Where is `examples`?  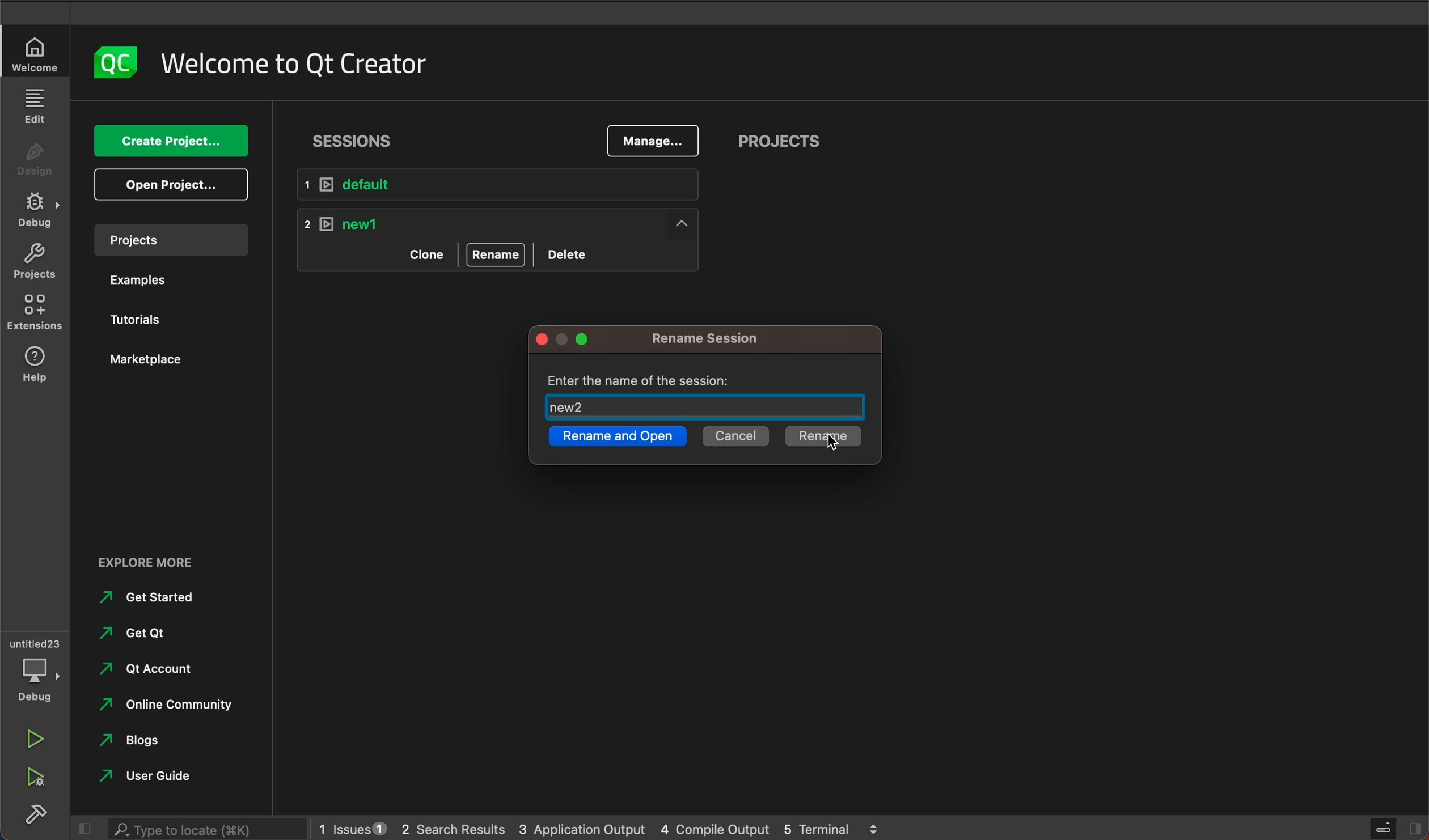 examples is located at coordinates (149, 281).